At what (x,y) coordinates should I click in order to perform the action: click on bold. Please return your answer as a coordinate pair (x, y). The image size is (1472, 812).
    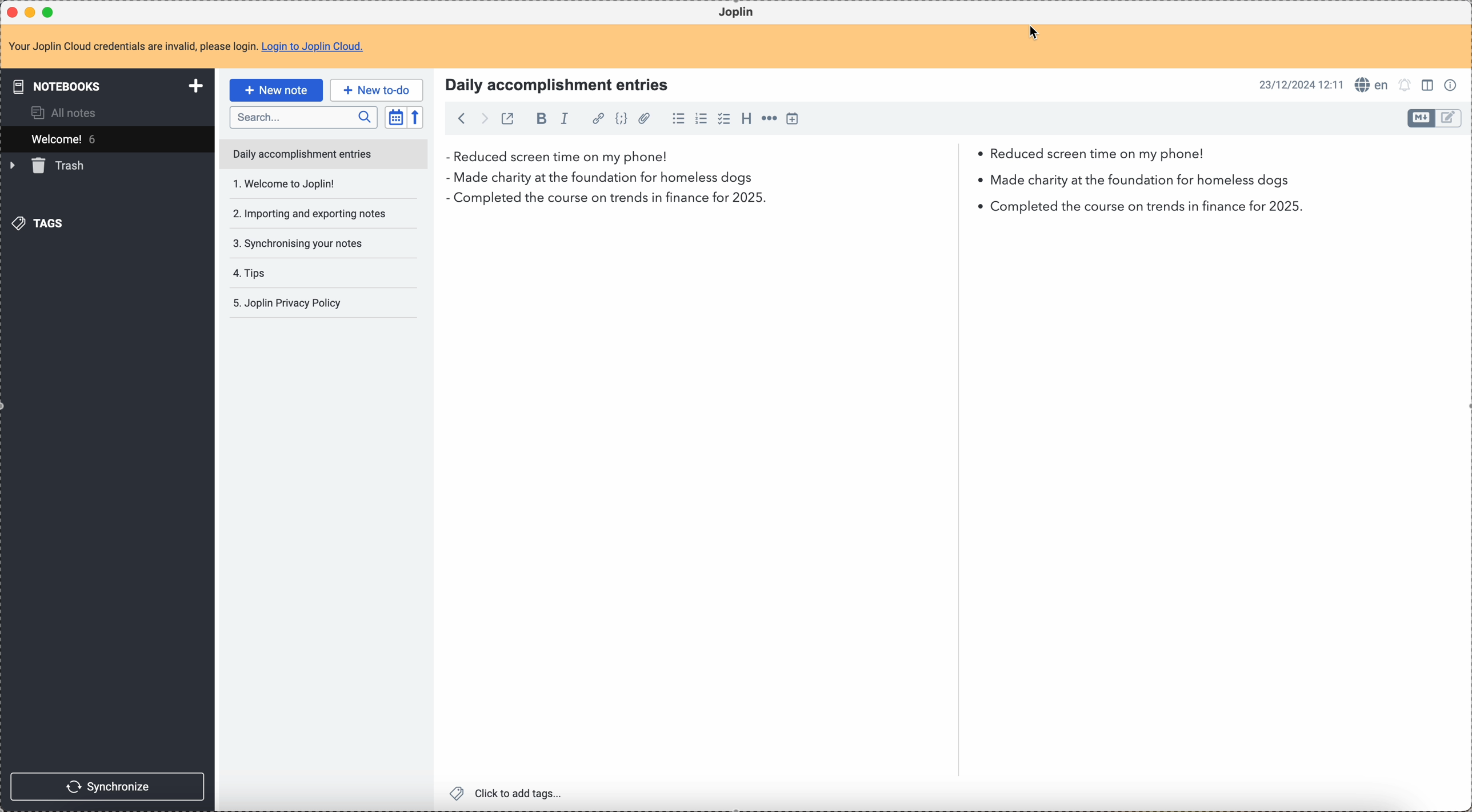
    Looking at the image, I should click on (538, 119).